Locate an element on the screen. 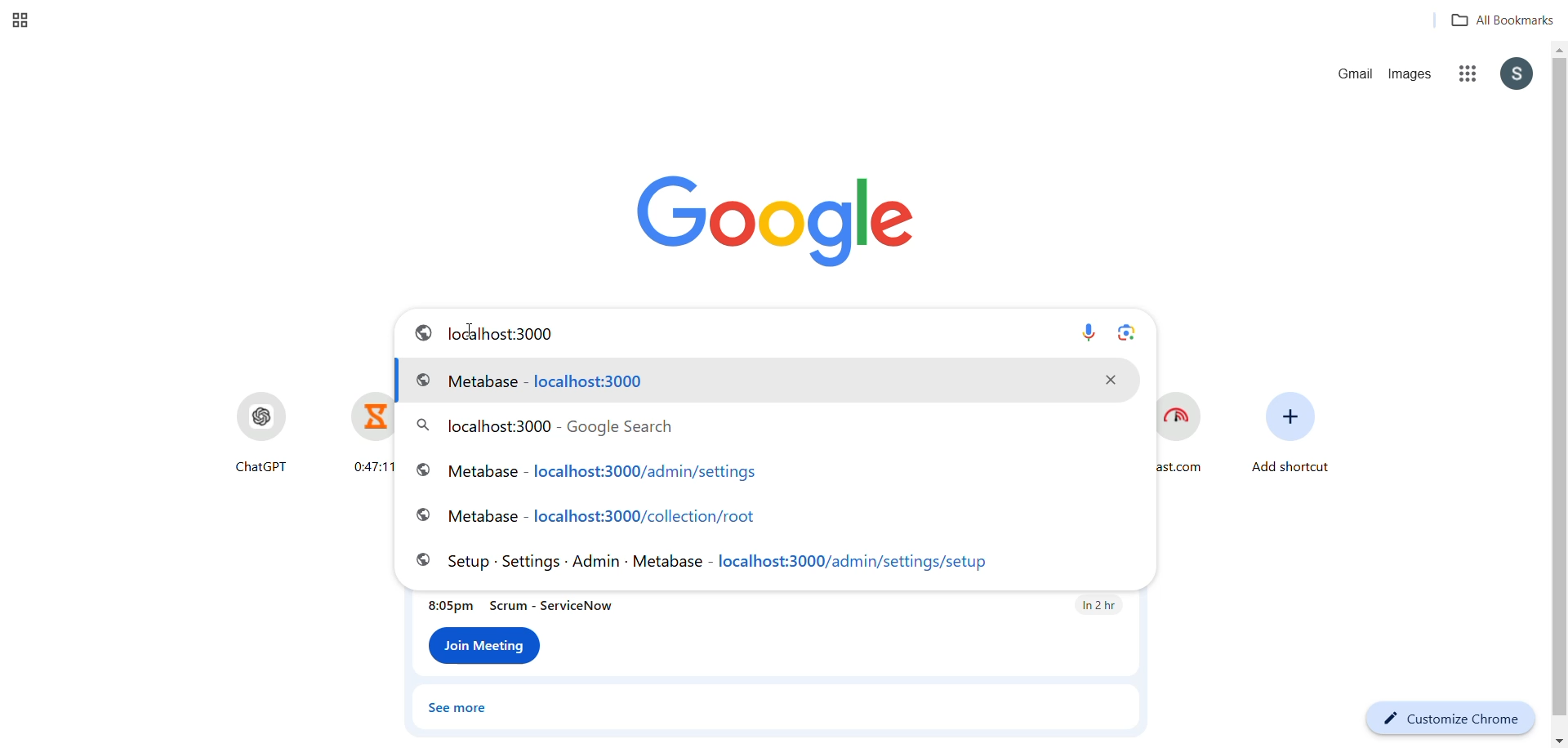 Image resolution: width=1568 pixels, height=748 pixels. see more is located at coordinates (462, 708).